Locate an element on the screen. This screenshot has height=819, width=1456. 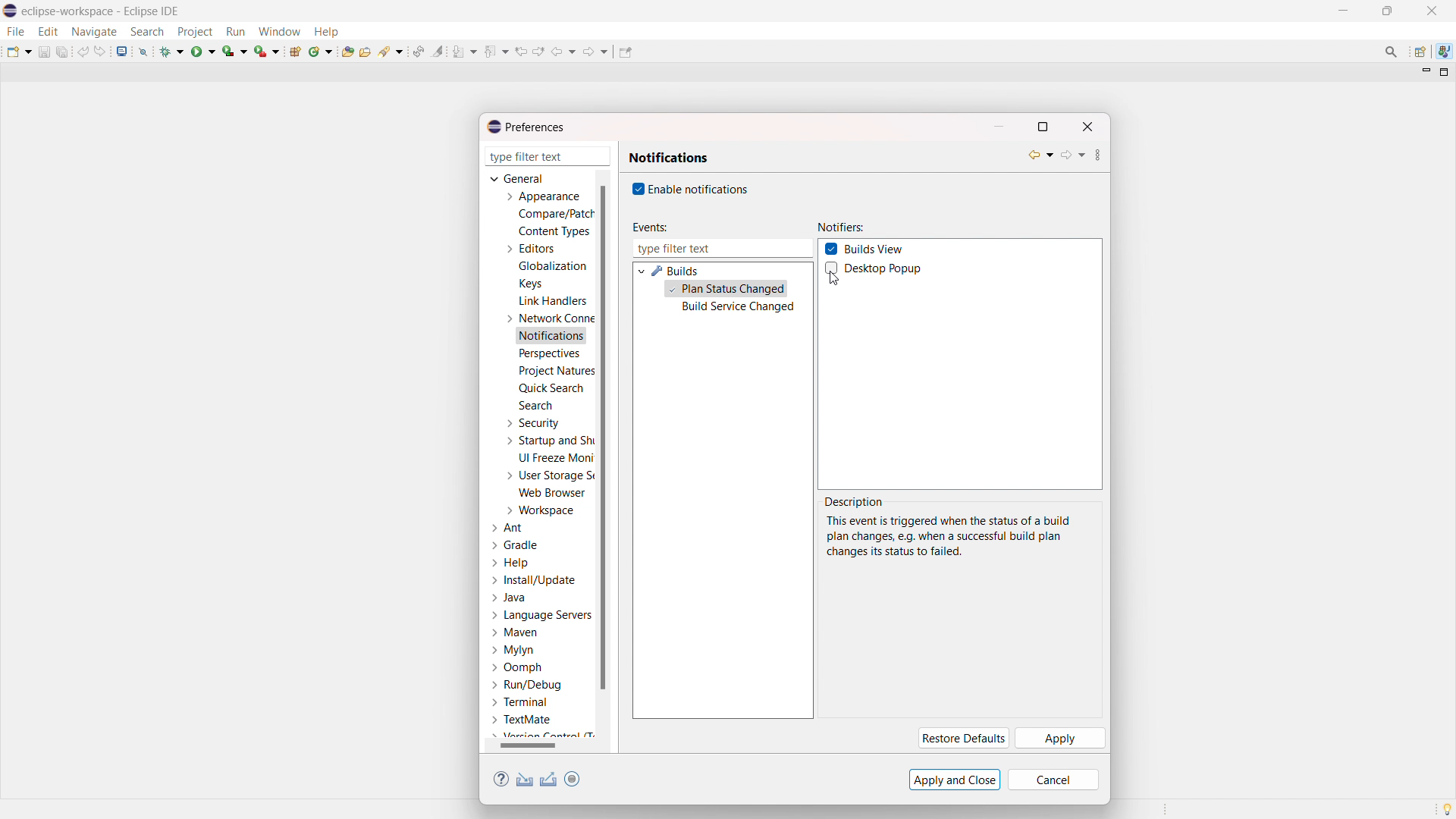
expand builds is located at coordinates (641, 270).